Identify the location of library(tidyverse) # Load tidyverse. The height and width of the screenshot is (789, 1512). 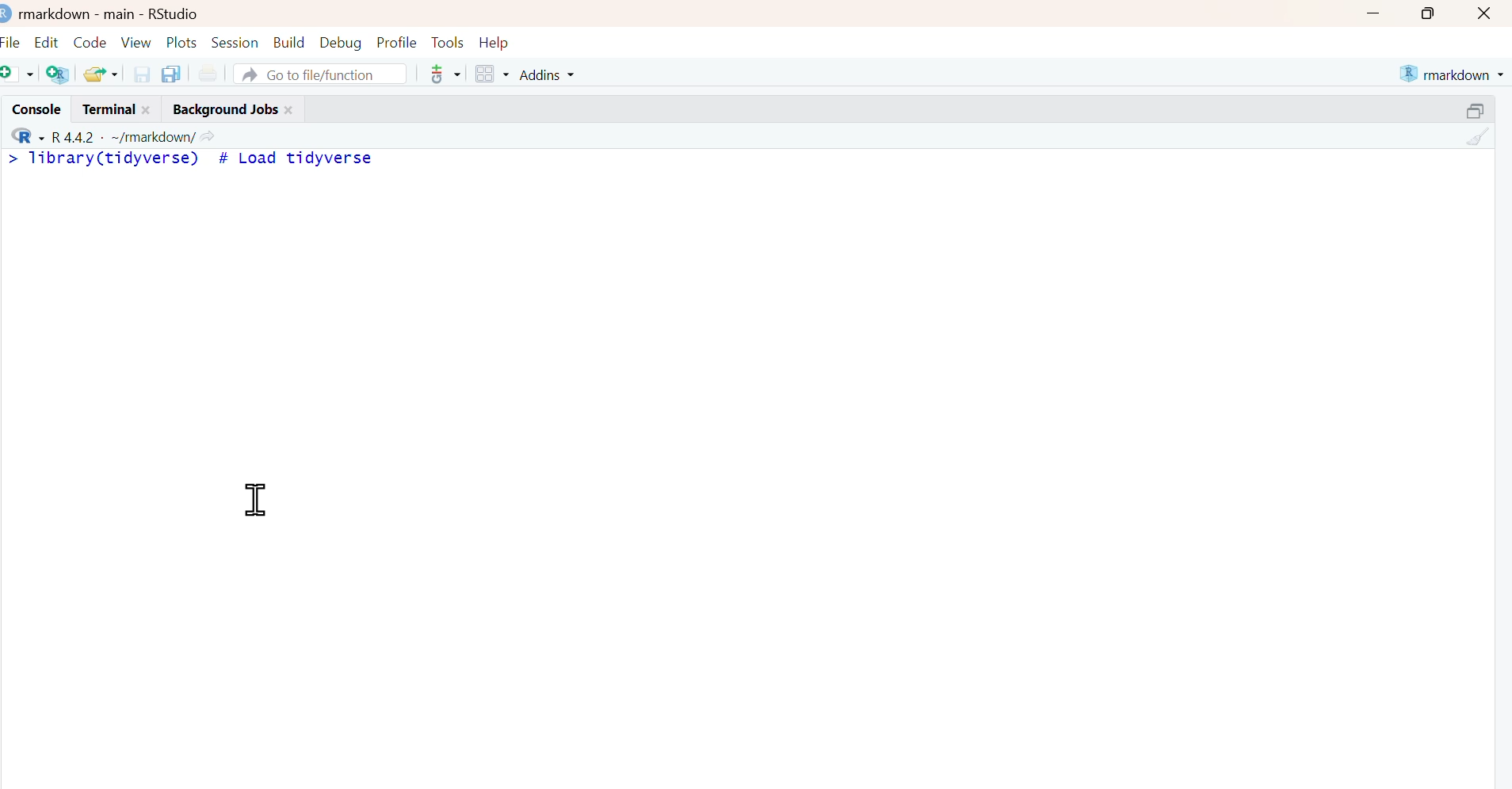
(201, 159).